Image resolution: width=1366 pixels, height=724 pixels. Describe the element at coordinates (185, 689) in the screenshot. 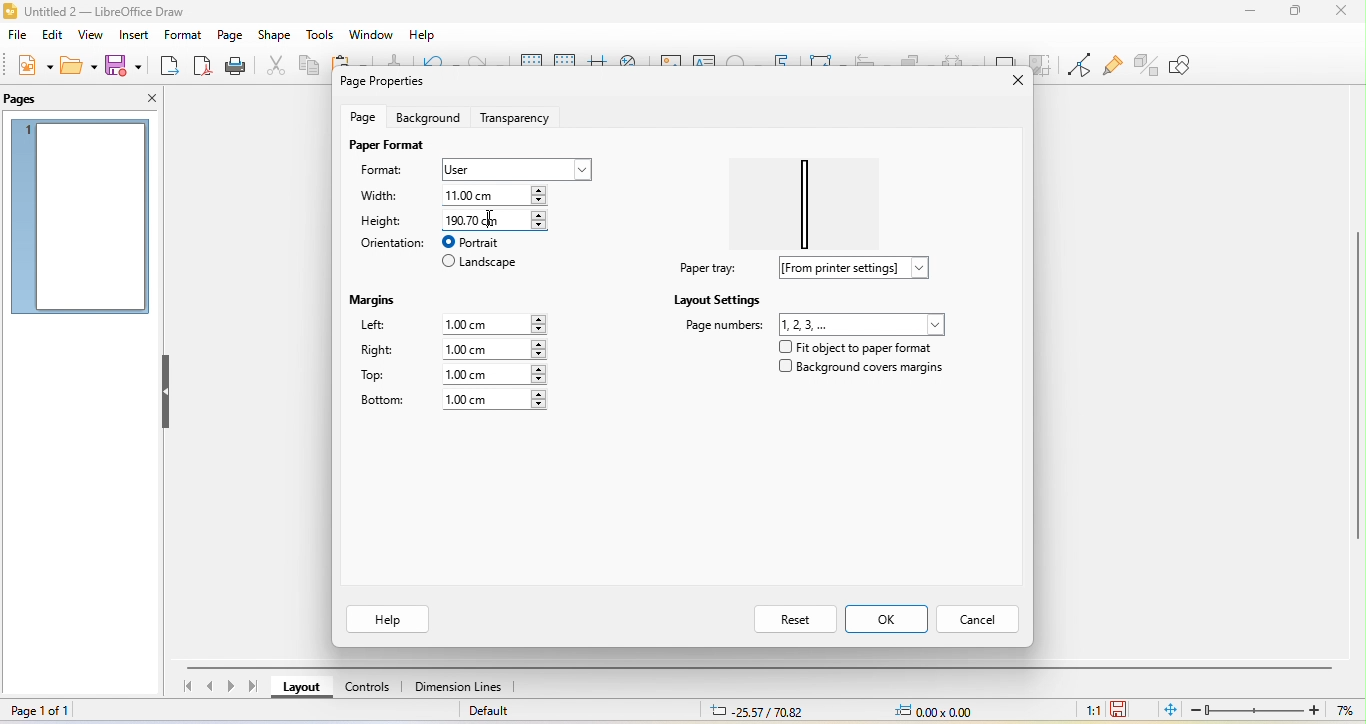

I see `first page` at that location.